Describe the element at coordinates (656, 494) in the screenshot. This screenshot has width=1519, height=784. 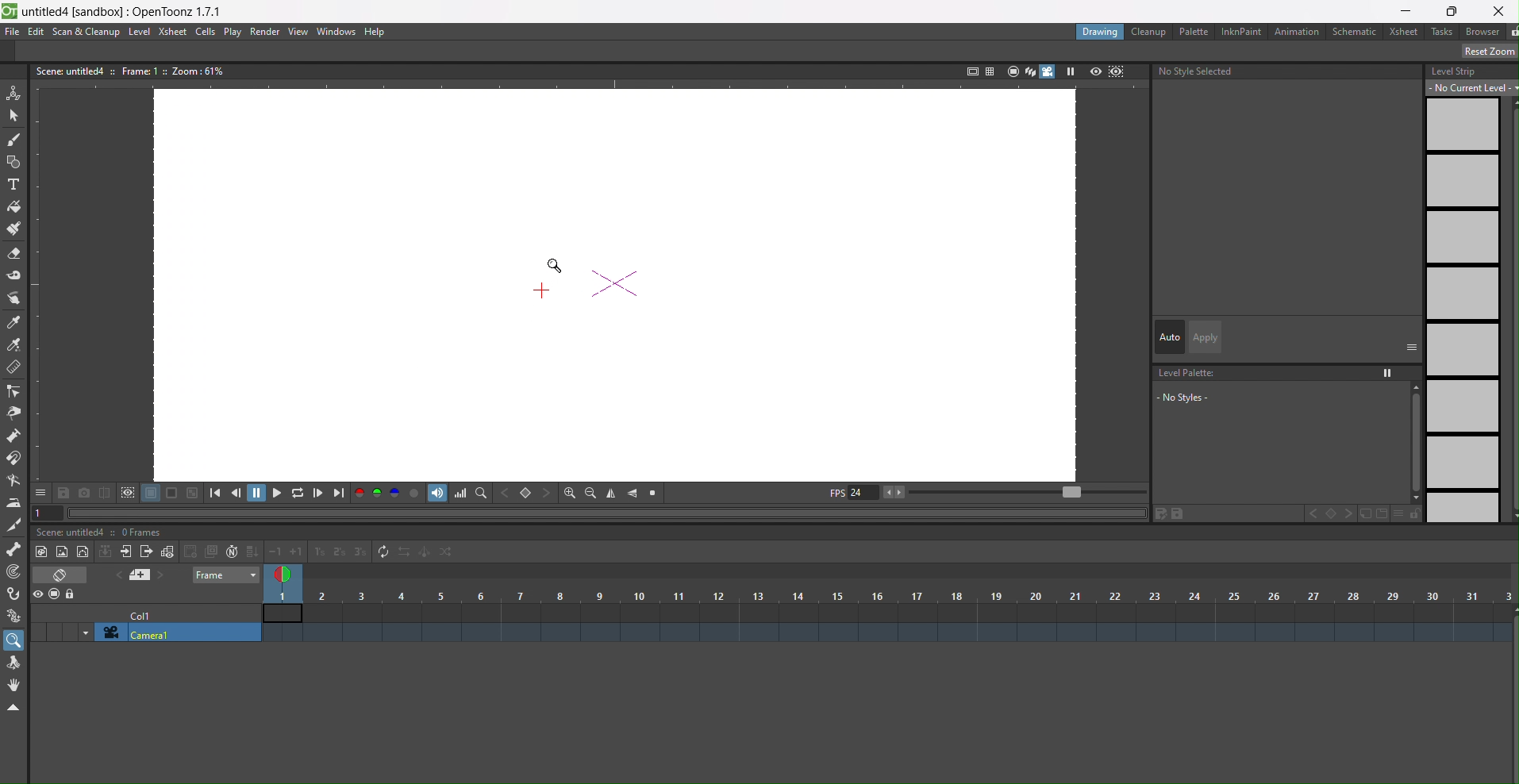
I see `` at that location.